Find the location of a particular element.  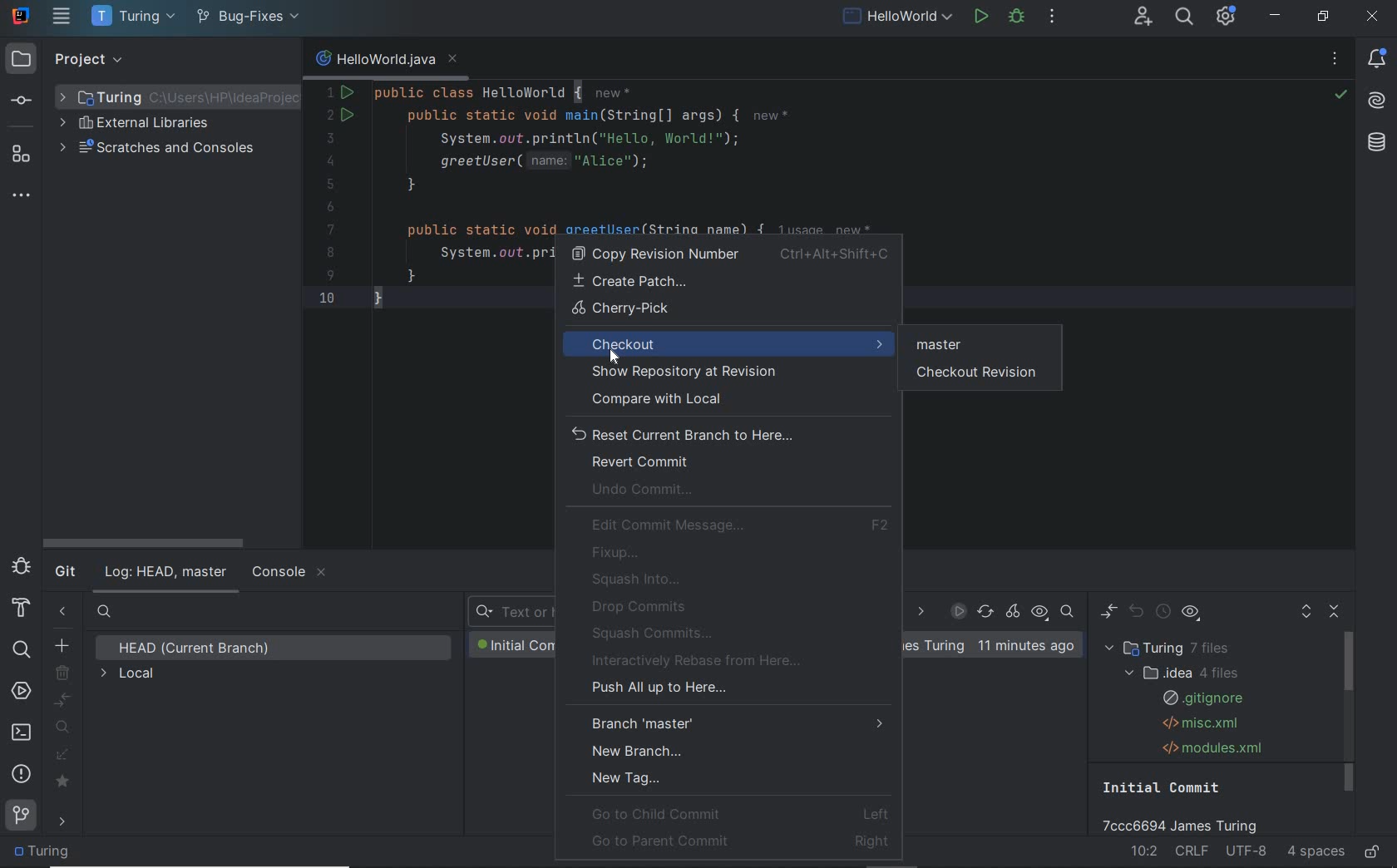

collapse all is located at coordinates (1336, 613).